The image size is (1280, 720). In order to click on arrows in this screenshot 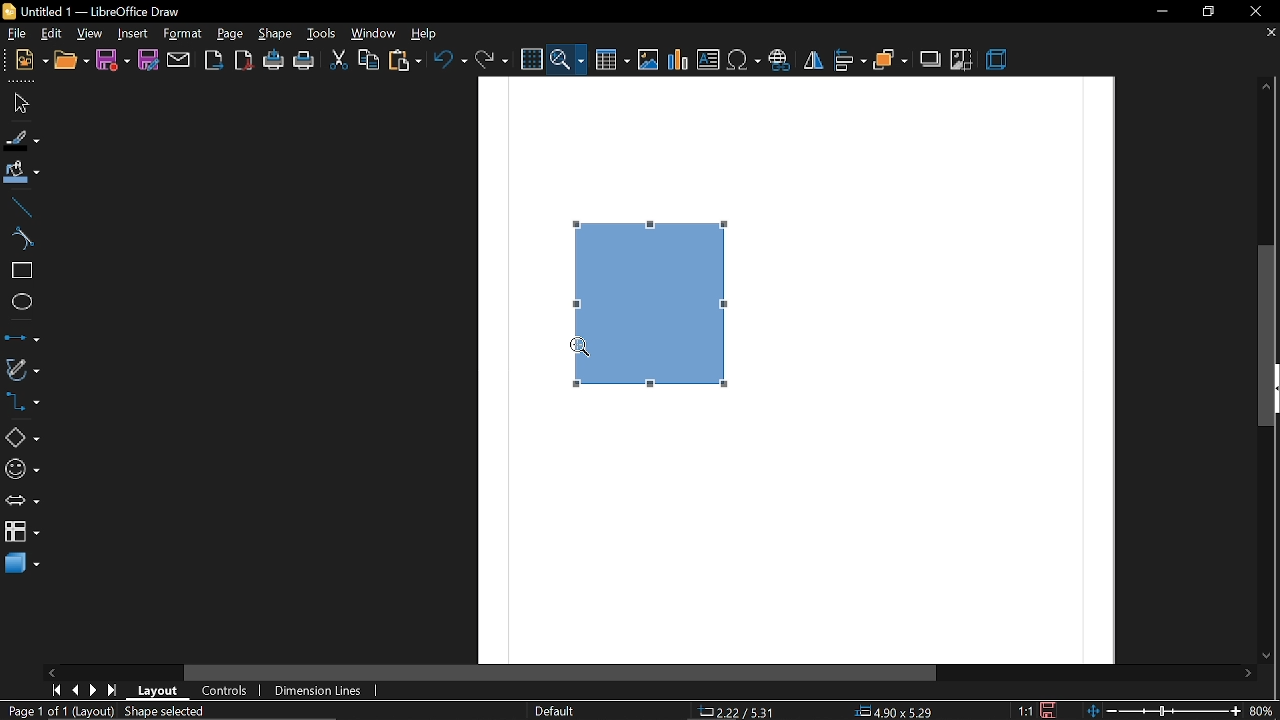, I will do `click(22, 501)`.